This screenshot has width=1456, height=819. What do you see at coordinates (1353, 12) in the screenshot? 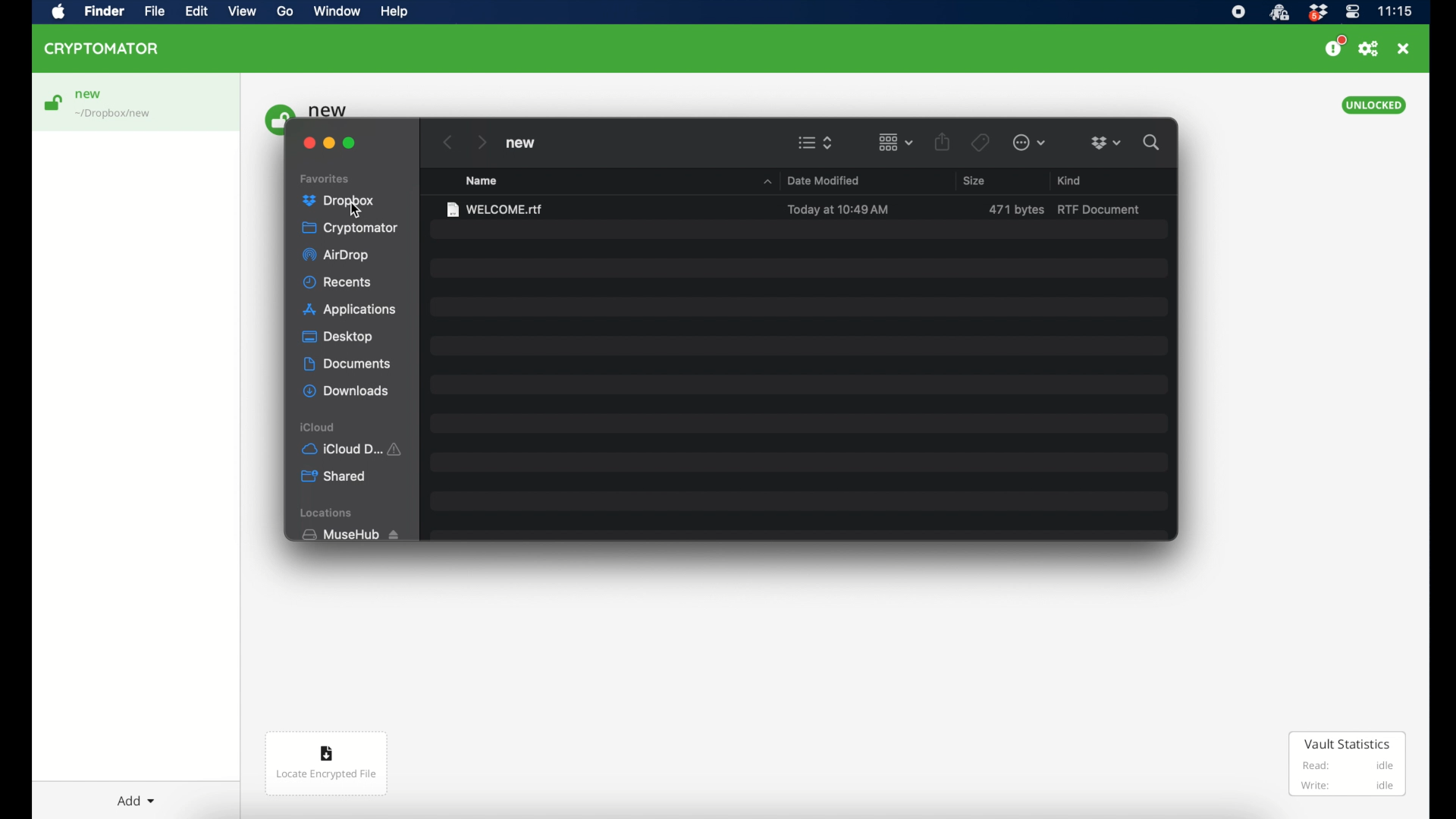
I see `control center` at bounding box center [1353, 12].